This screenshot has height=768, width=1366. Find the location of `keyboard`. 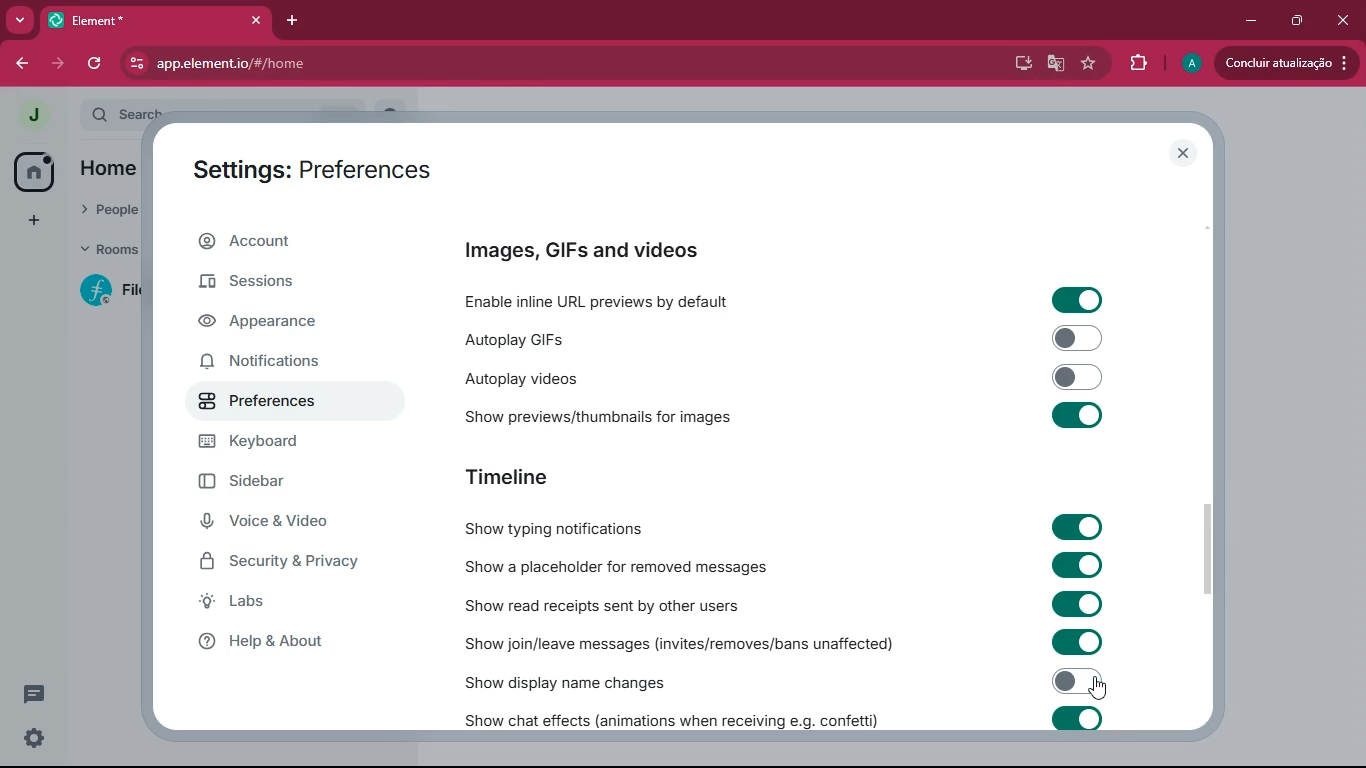

keyboard is located at coordinates (262, 443).